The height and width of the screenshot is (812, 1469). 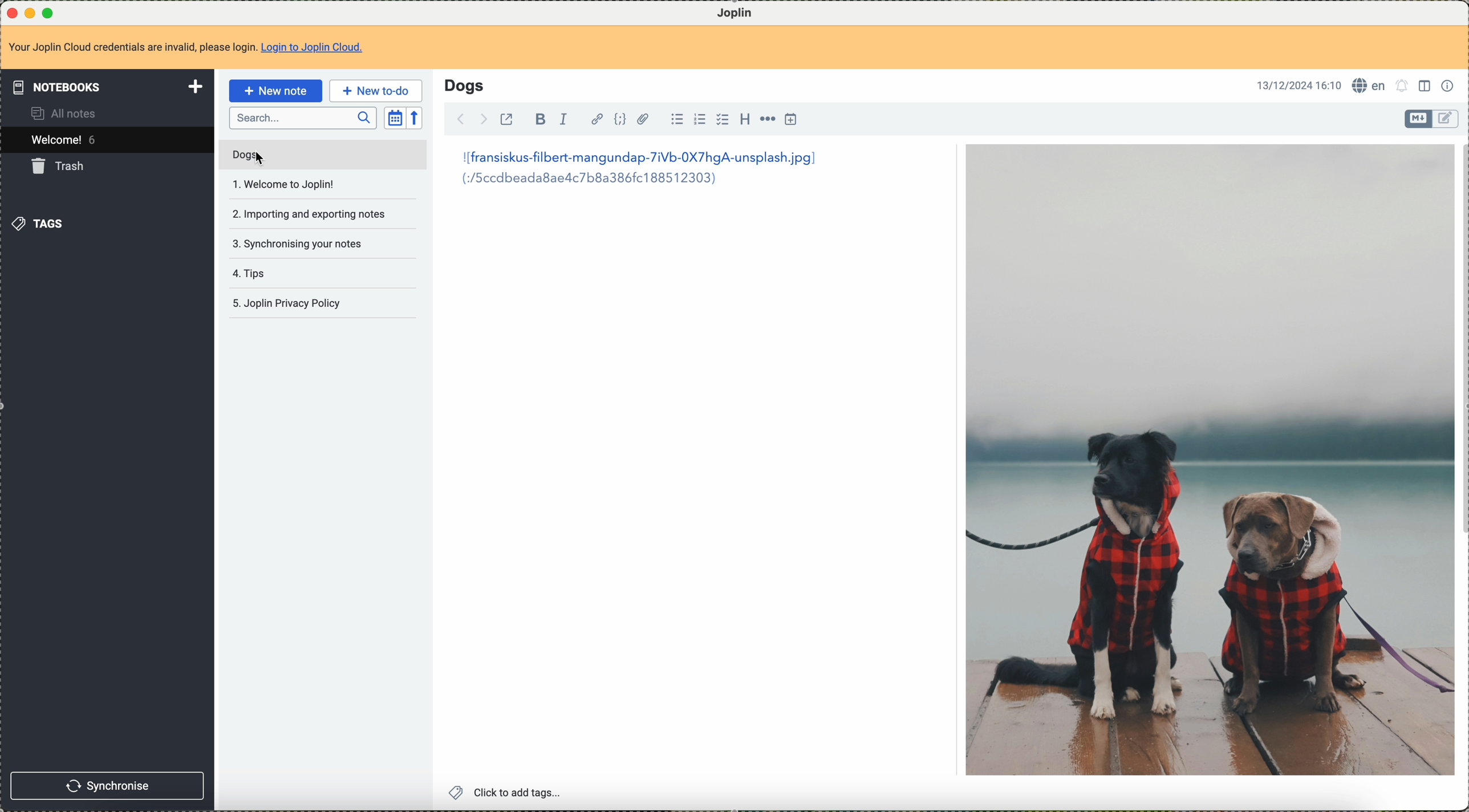 I want to click on minimize program, so click(x=30, y=11).